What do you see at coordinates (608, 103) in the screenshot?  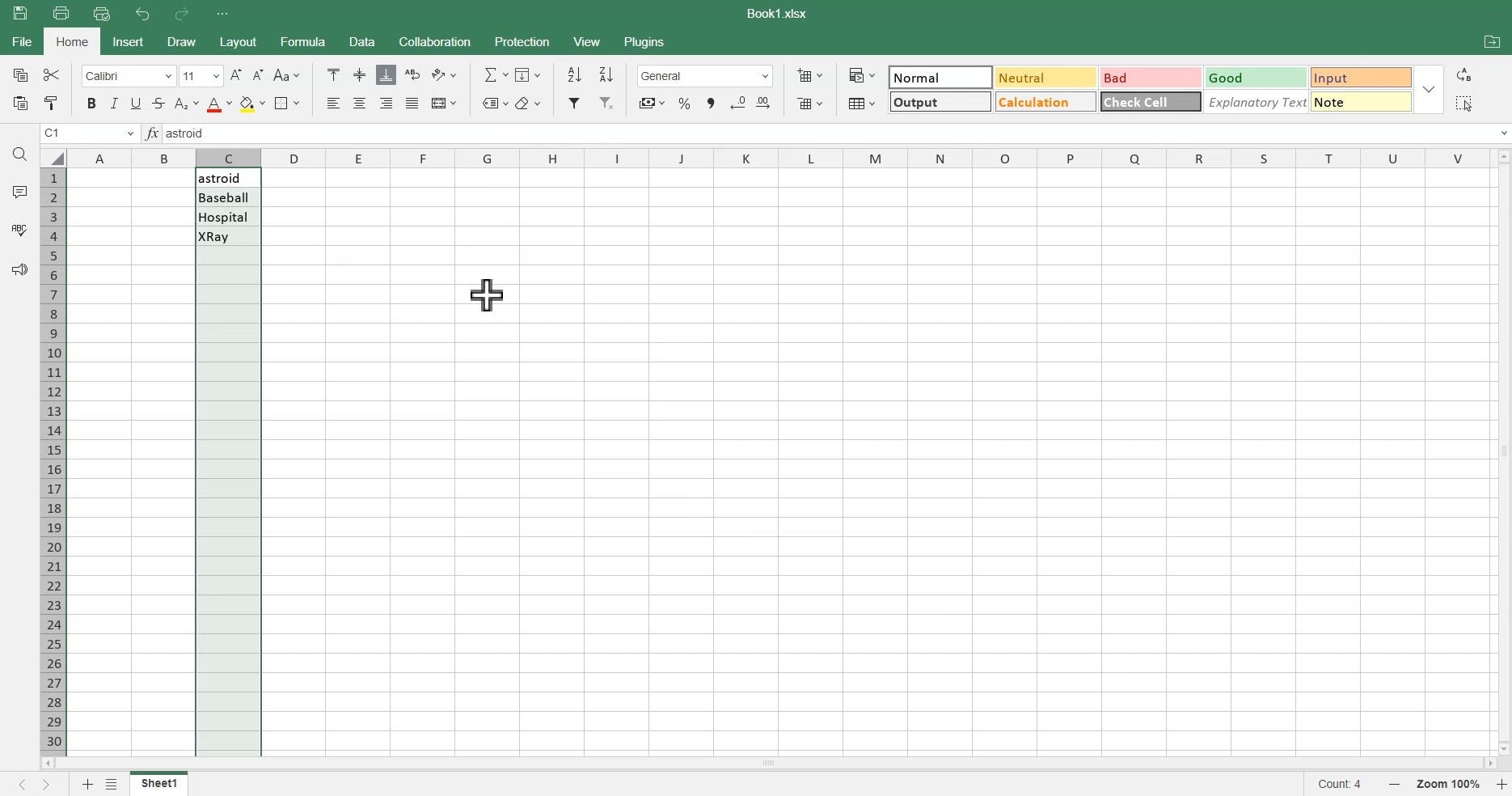 I see `Remove Filter` at bounding box center [608, 103].